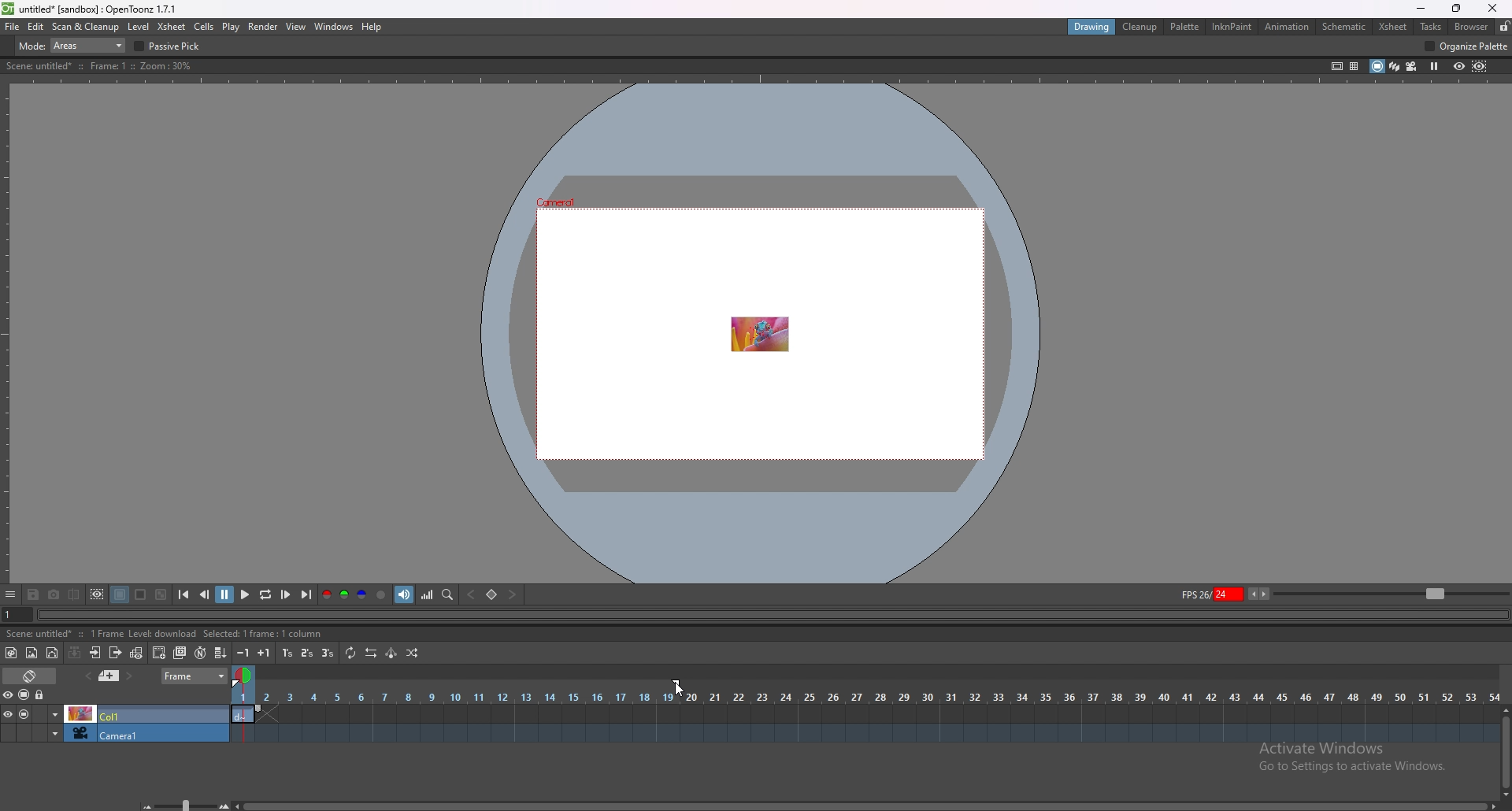  What do you see at coordinates (1344, 27) in the screenshot?
I see `schematic` at bounding box center [1344, 27].